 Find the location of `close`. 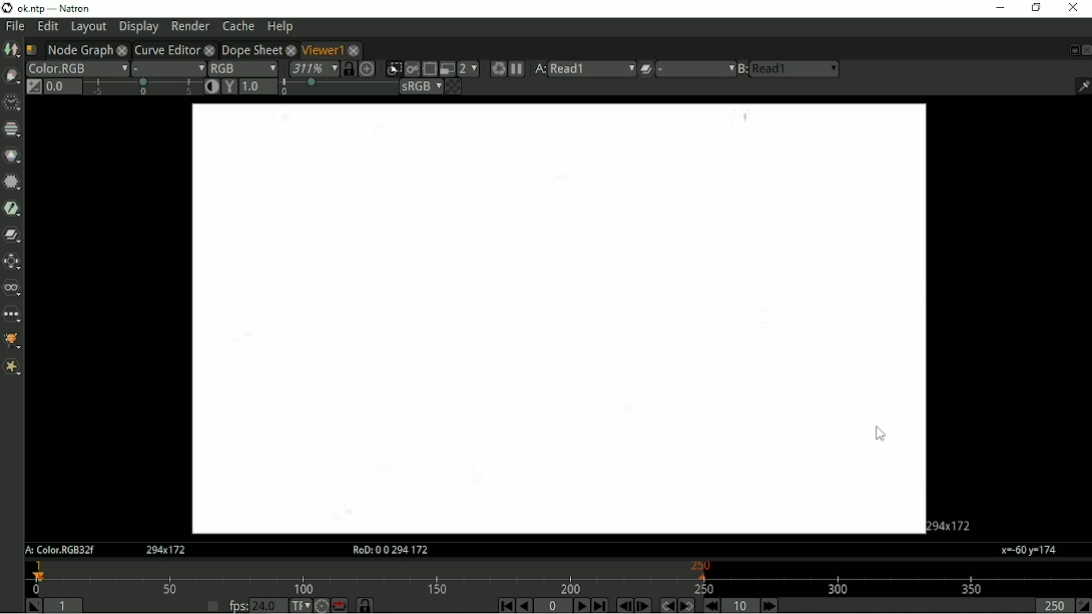

close is located at coordinates (210, 50).